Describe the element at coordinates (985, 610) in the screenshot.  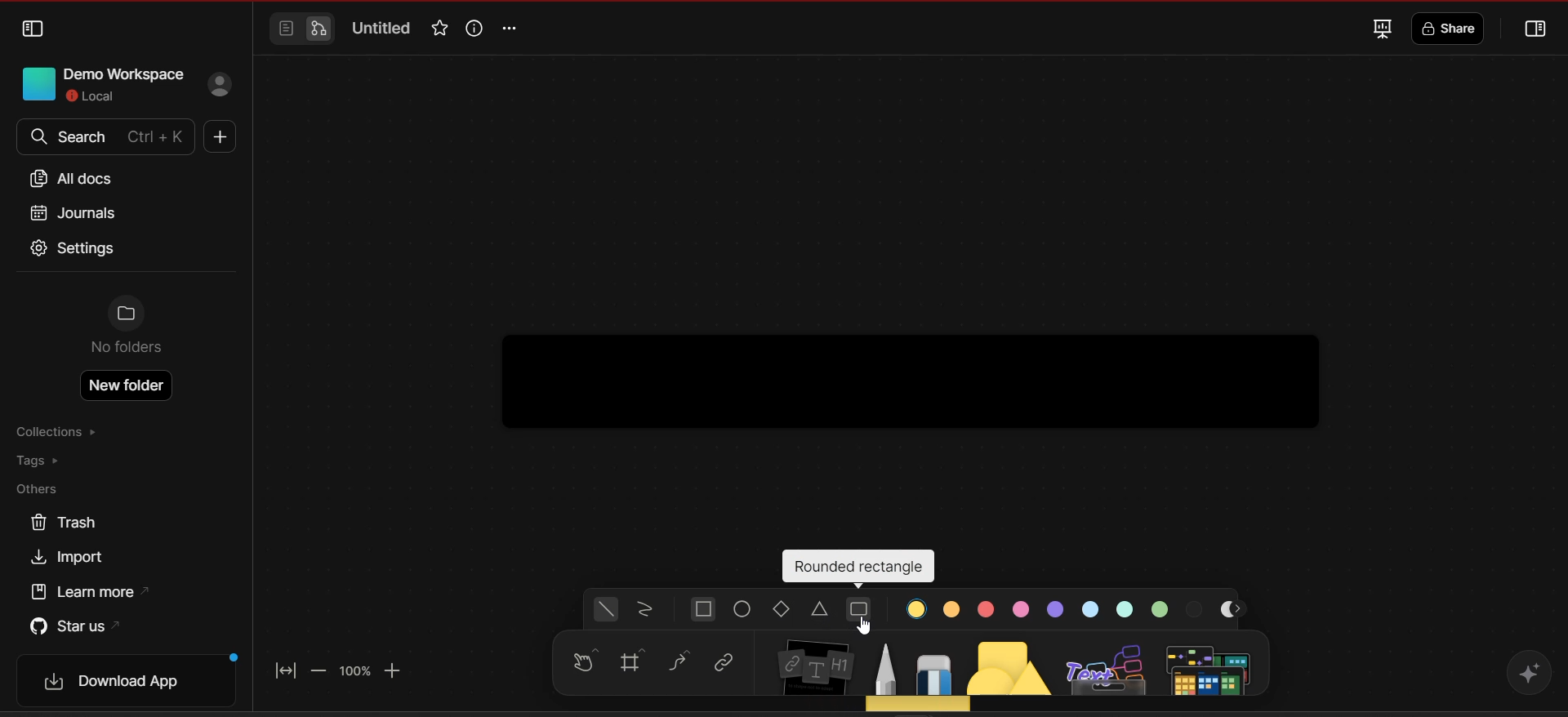
I see `color 3` at that location.